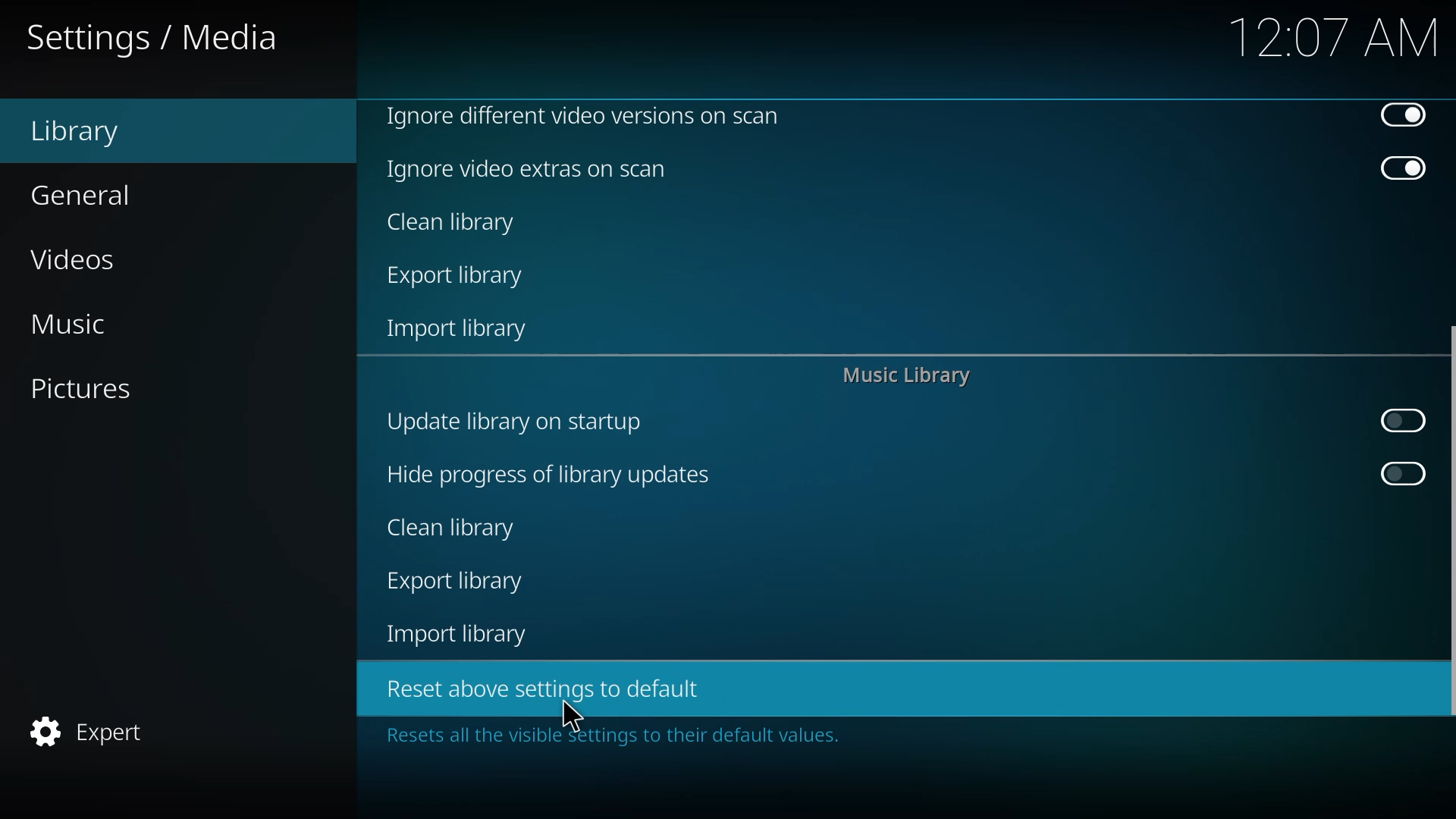 This screenshot has width=1456, height=819. Describe the element at coordinates (82, 196) in the screenshot. I see `general` at that location.